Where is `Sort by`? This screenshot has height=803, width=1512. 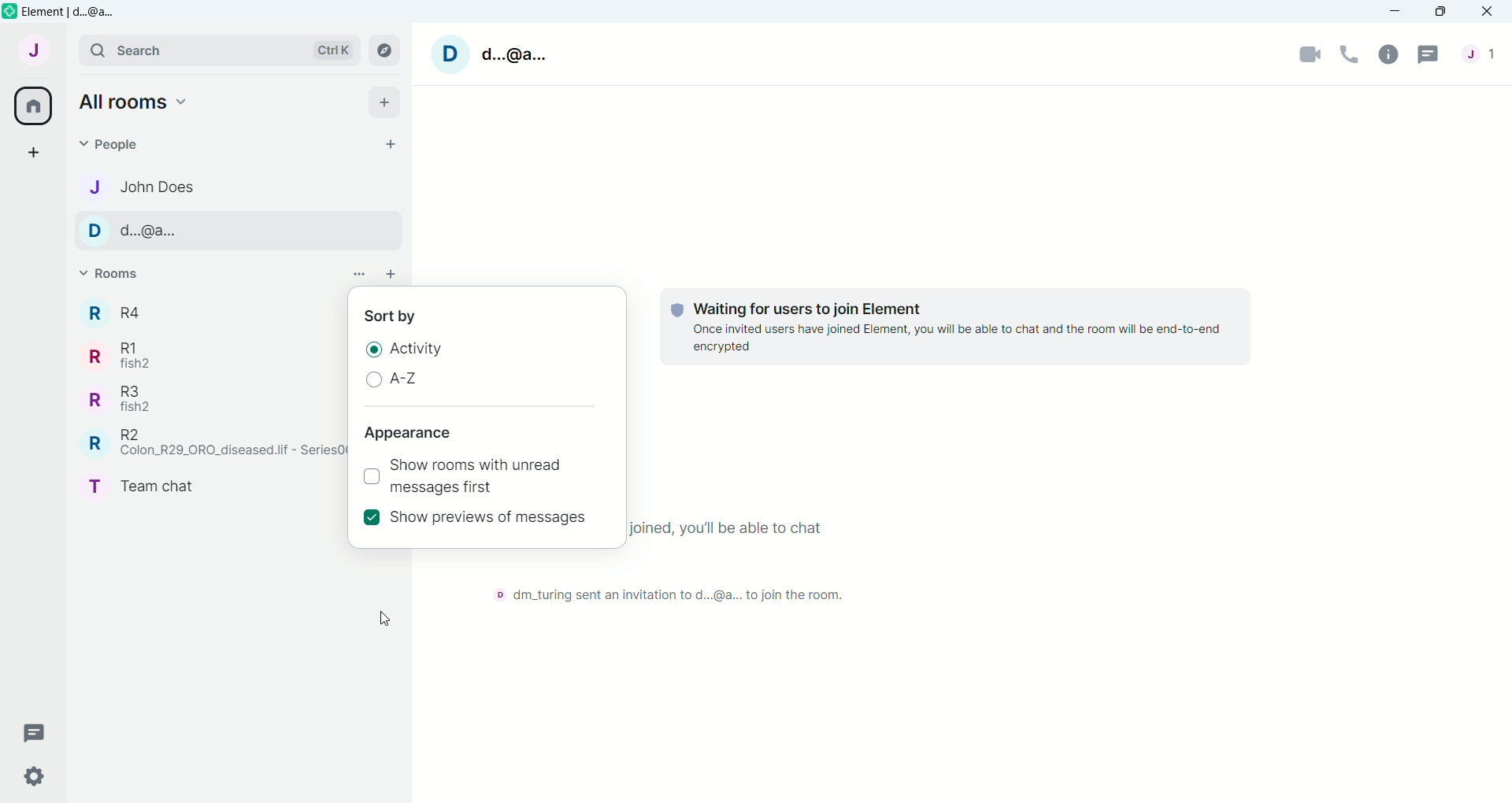 Sort by is located at coordinates (398, 316).